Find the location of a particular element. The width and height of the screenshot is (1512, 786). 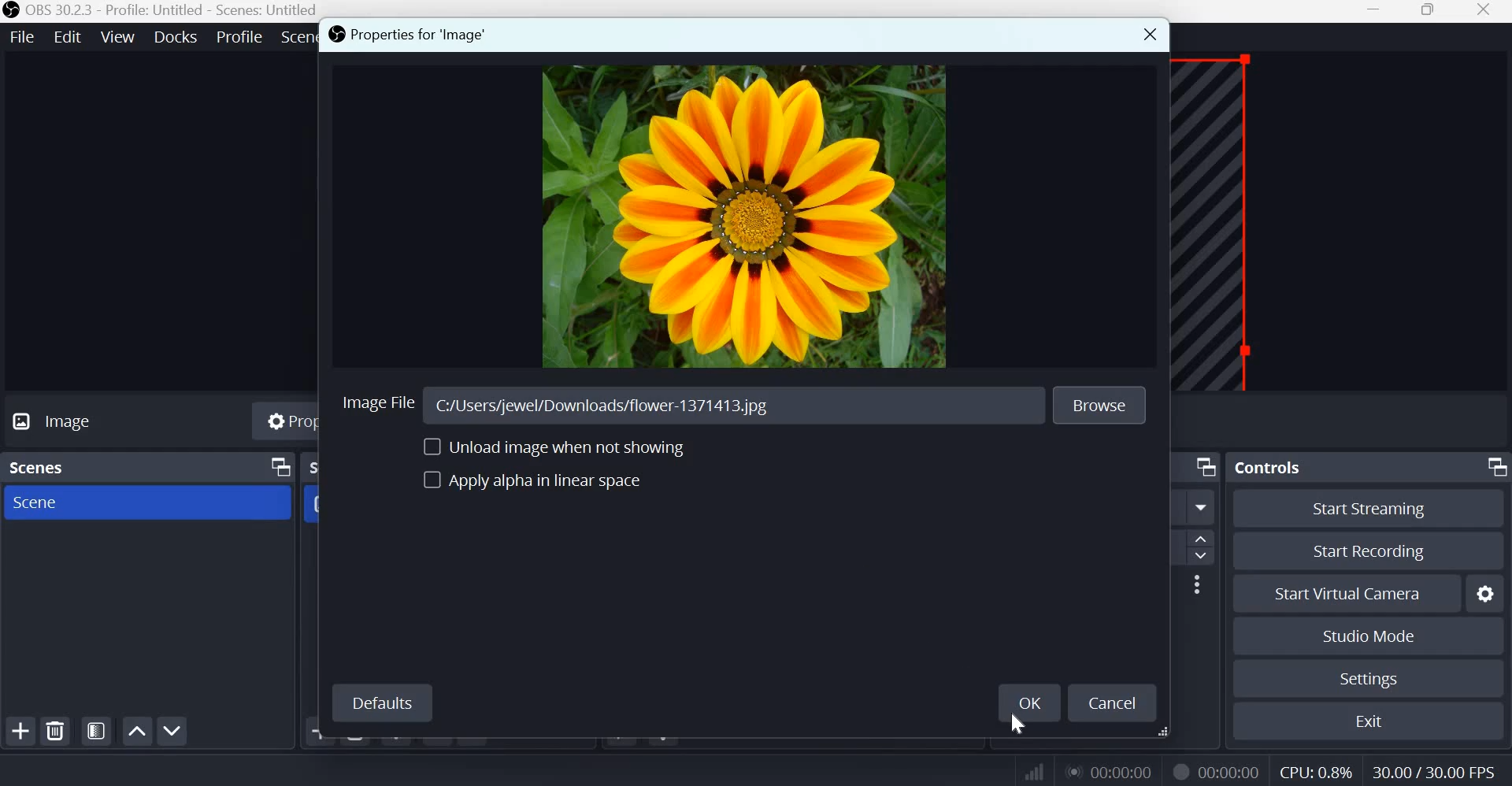

apply alpha in linear space is located at coordinates (543, 486).